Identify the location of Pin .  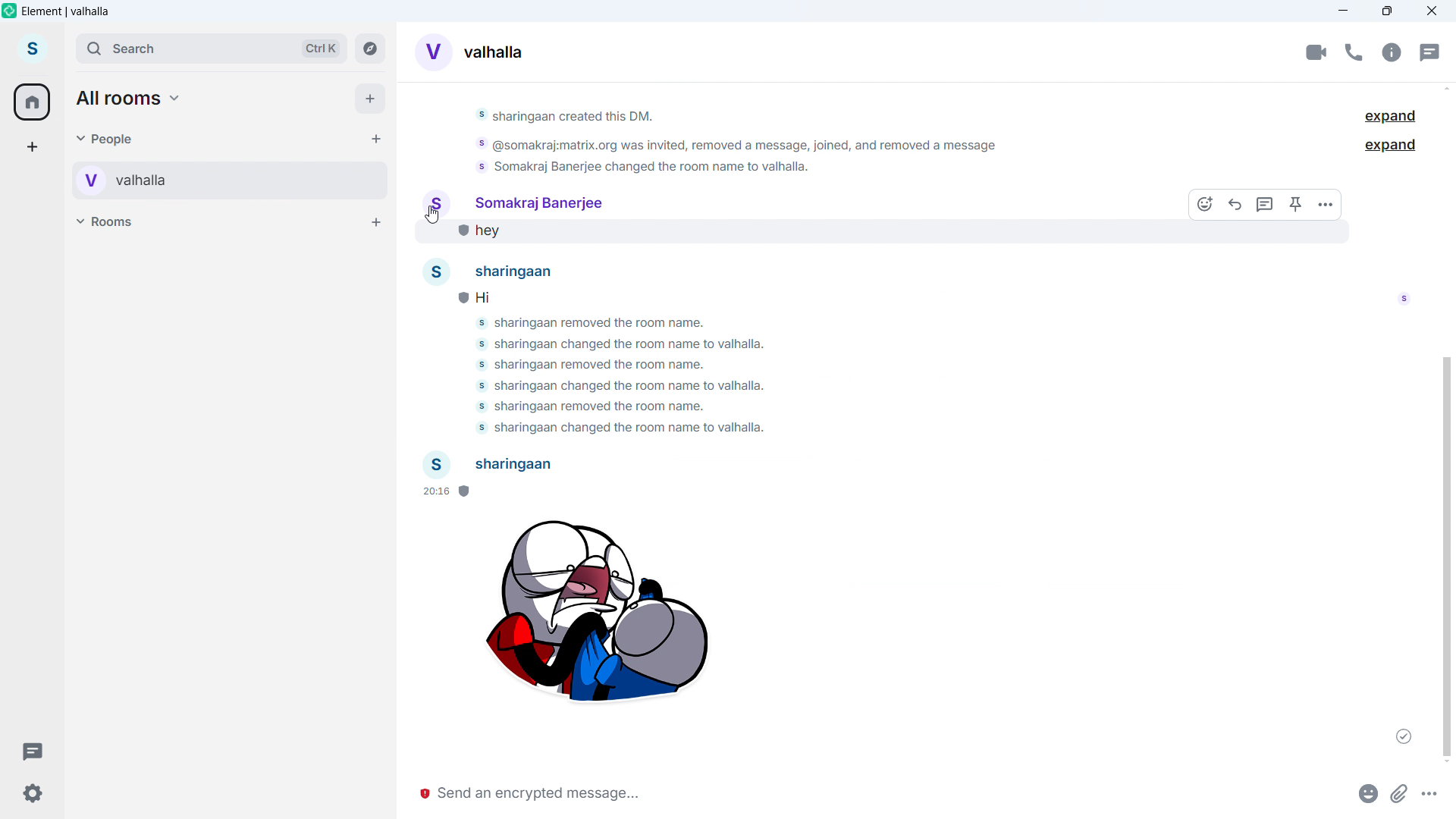
(1296, 204).